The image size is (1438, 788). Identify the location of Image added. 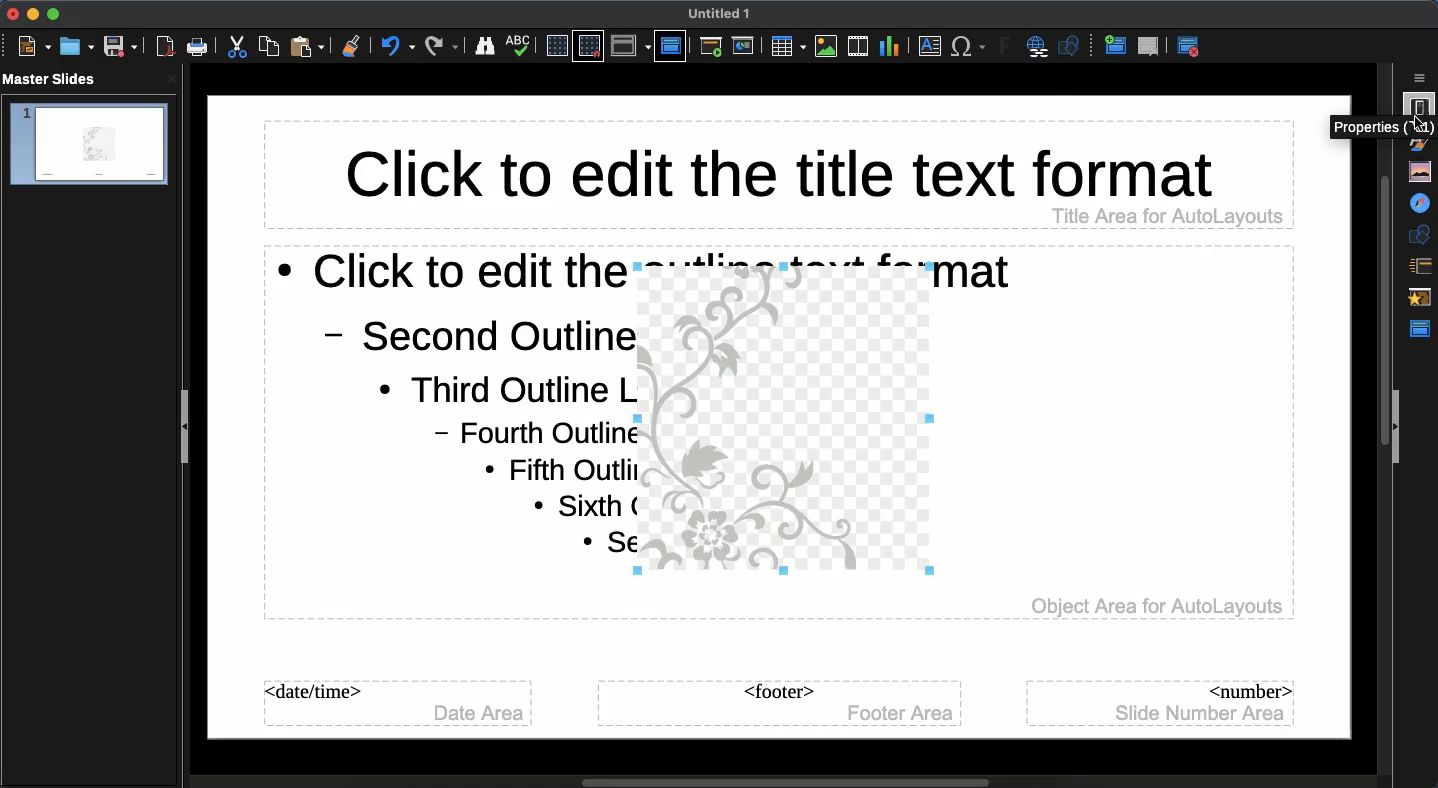
(796, 422).